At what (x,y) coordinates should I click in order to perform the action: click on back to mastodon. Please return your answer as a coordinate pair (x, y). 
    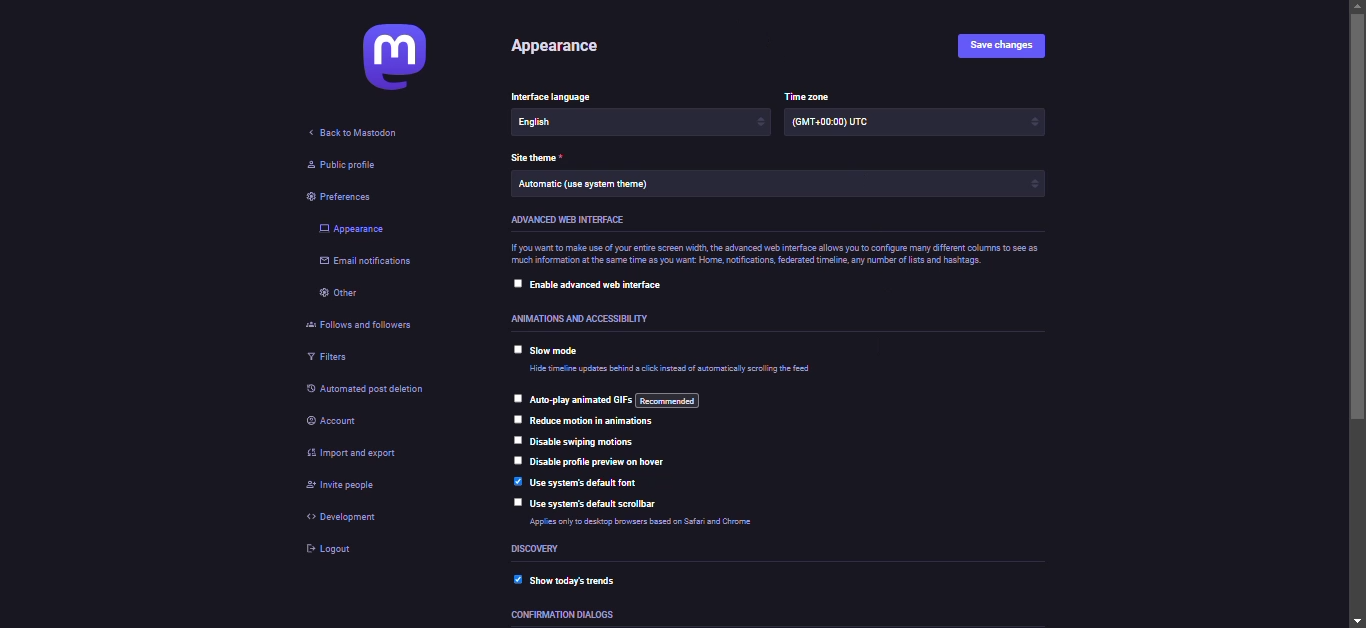
    Looking at the image, I should click on (359, 135).